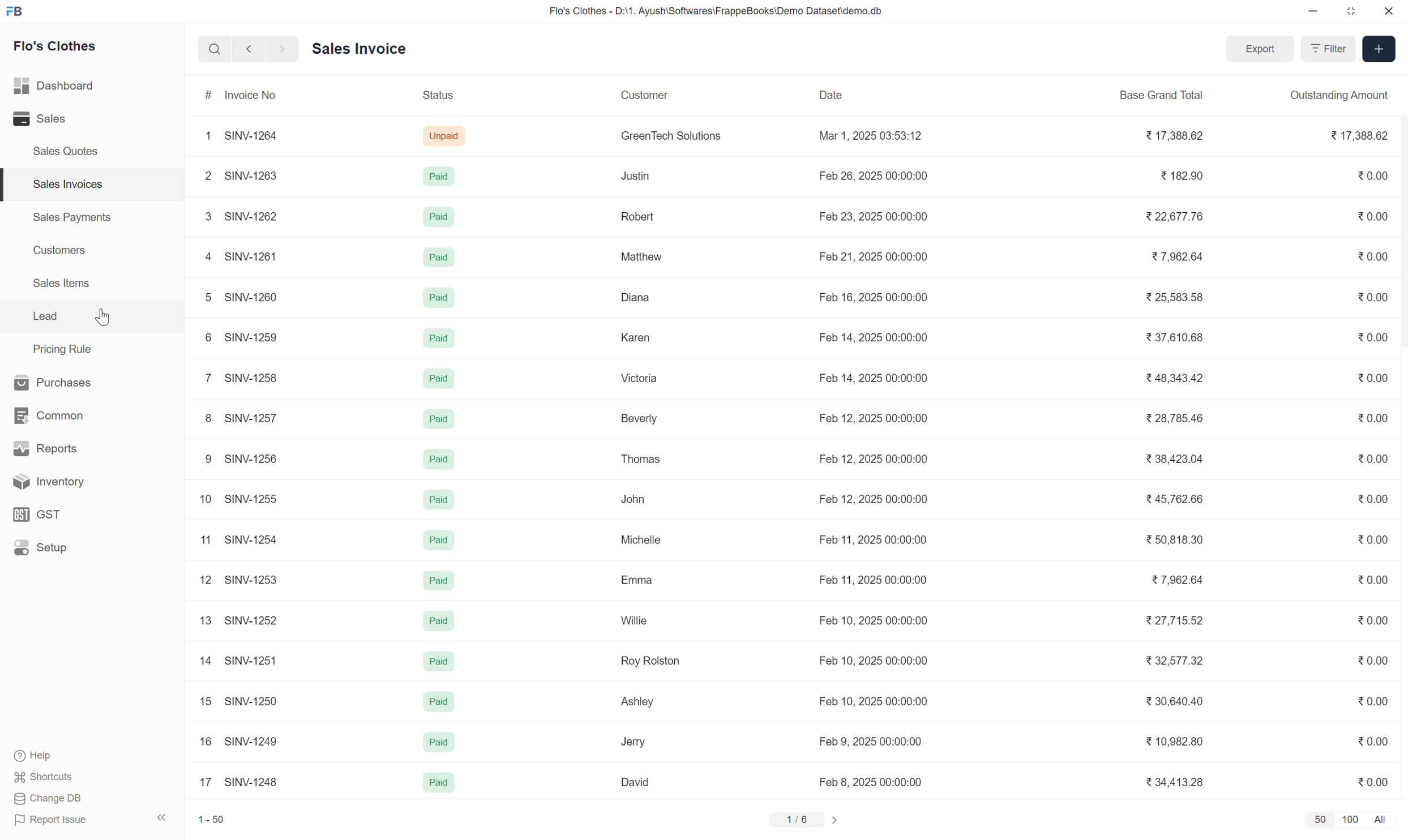 The height and width of the screenshot is (840, 1408). Describe the element at coordinates (1173, 339) in the screenshot. I see `337,610.68` at that location.